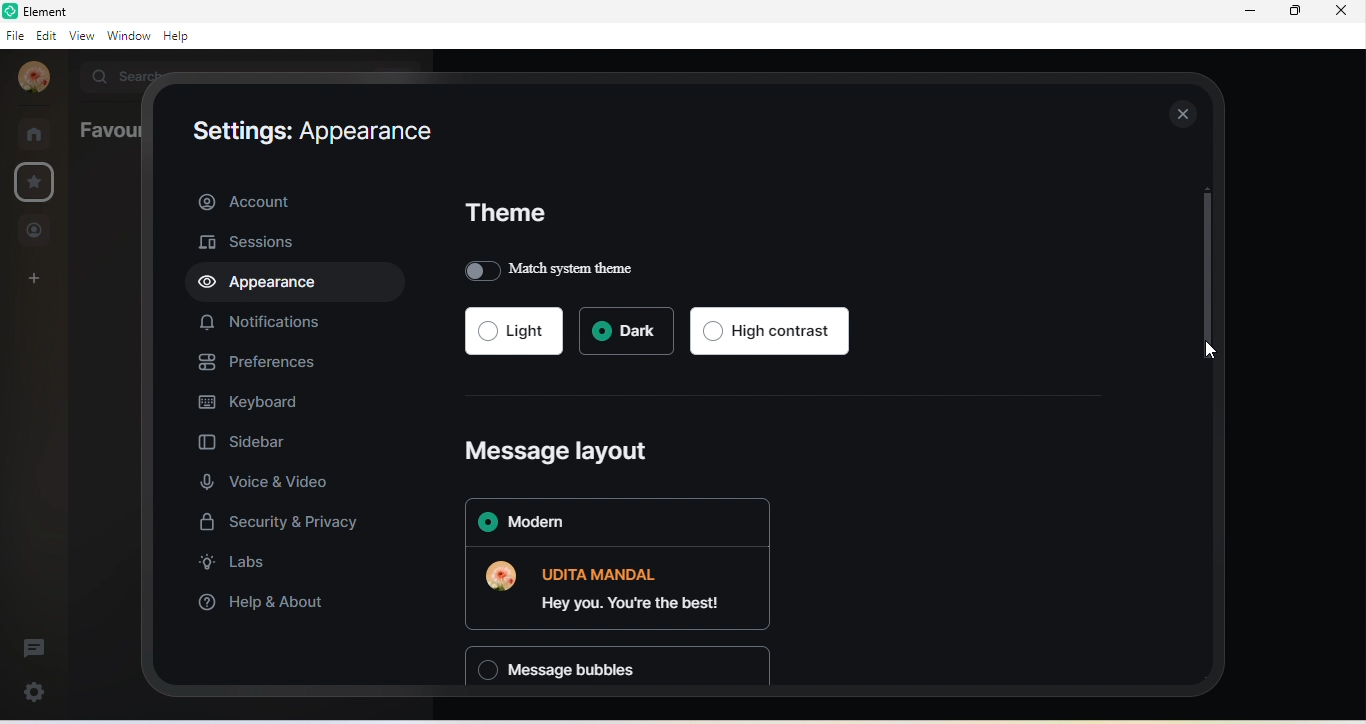  Describe the element at coordinates (1346, 16) in the screenshot. I see `close` at that location.